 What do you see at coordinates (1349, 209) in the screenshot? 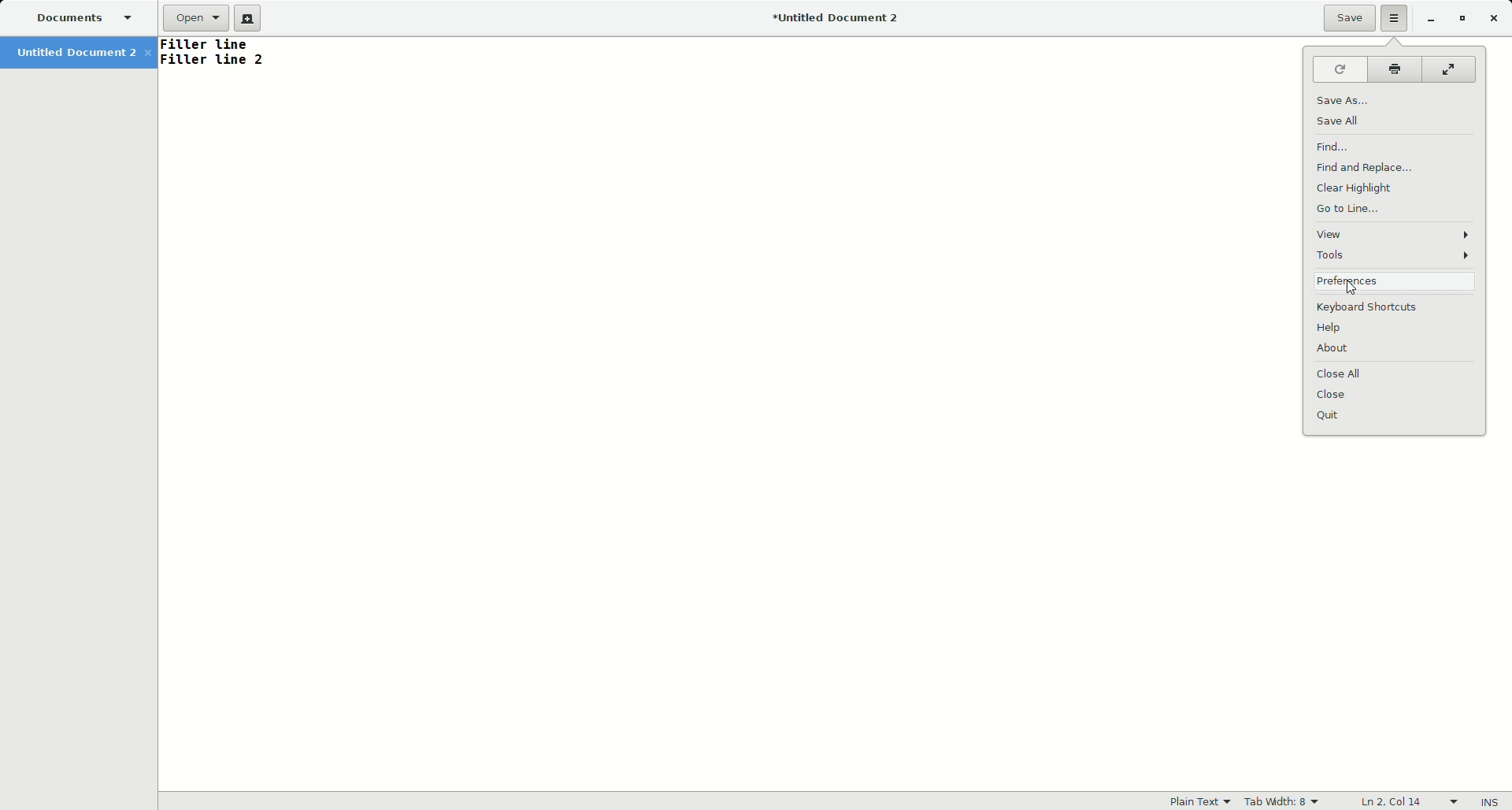
I see `Go to Line` at bounding box center [1349, 209].